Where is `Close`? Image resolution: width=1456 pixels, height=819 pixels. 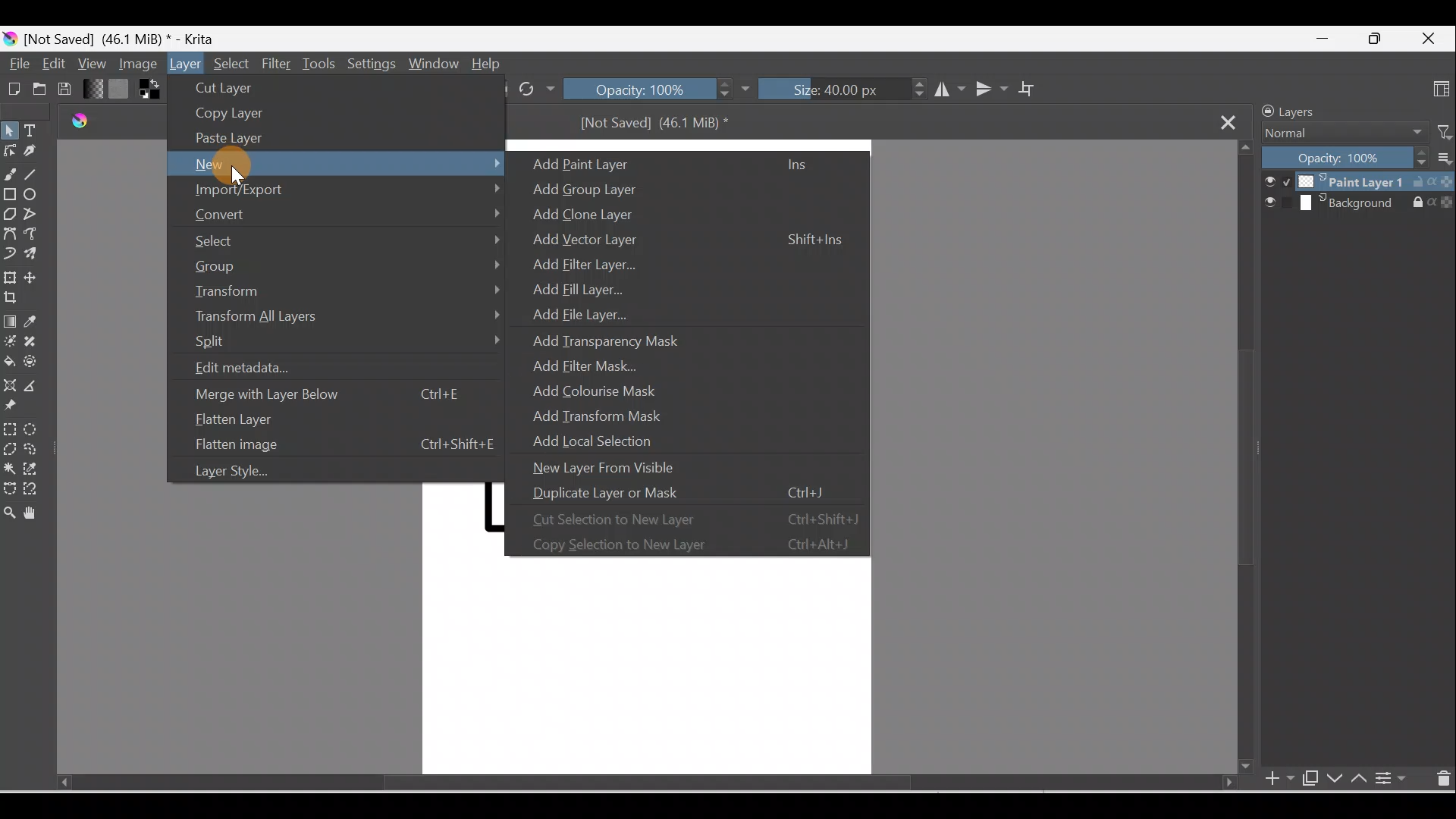 Close is located at coordinates (1431, 36).